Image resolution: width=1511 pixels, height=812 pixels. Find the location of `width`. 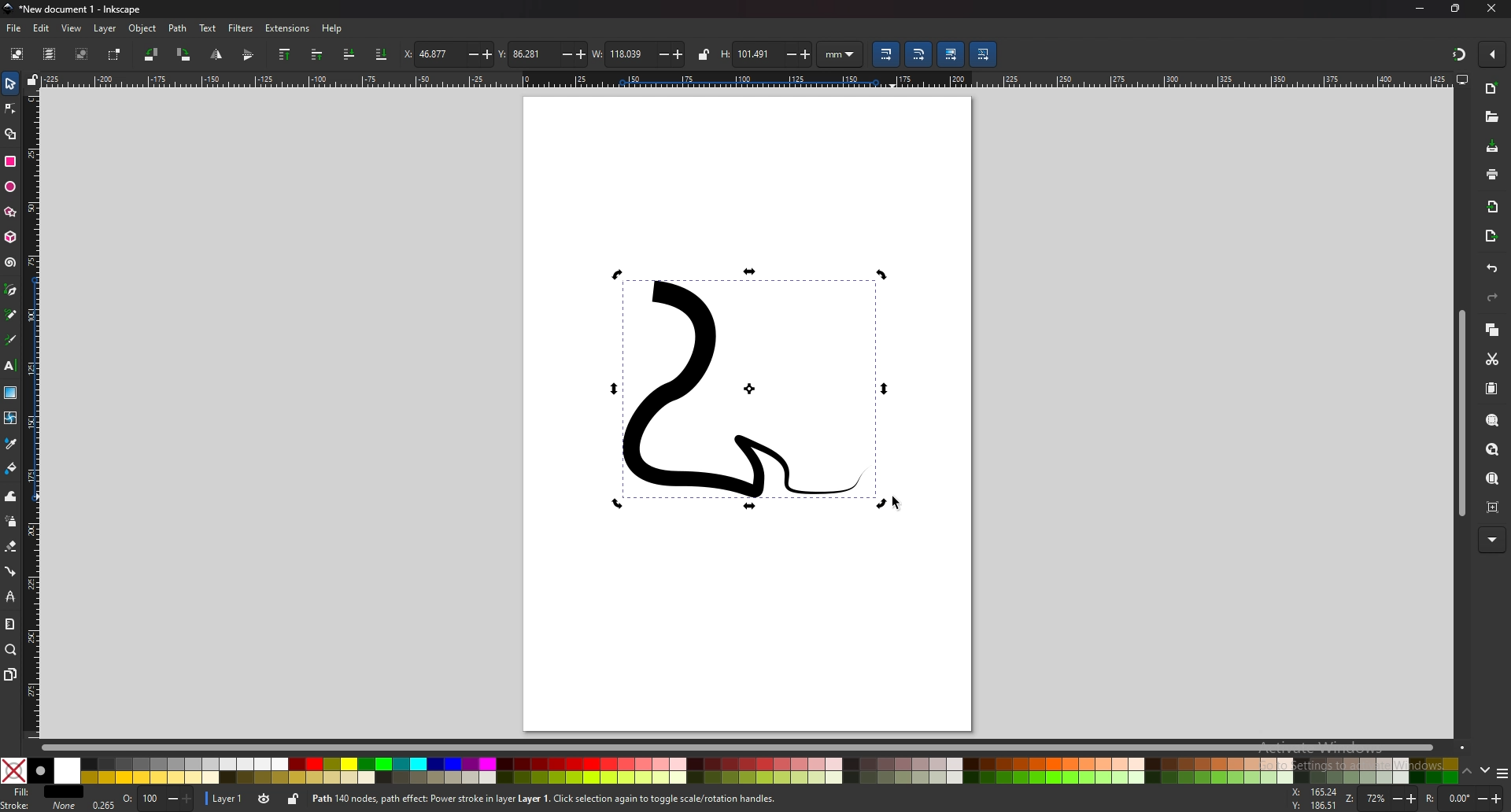

width is located at coordinates (637, 54).